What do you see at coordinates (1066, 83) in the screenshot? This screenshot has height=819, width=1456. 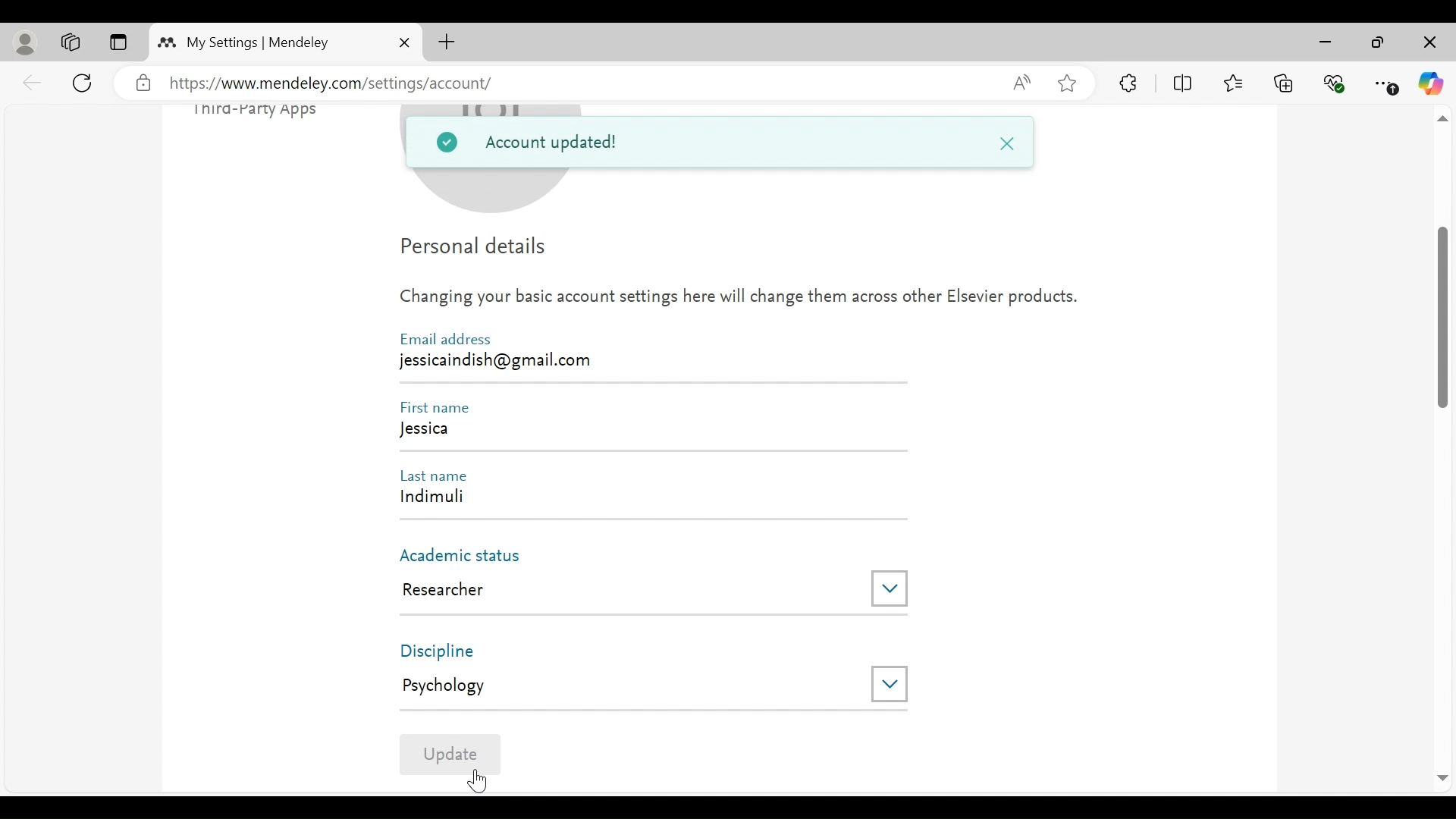 I see `Add this page to Favorites` at bounding box center [1066, 83].